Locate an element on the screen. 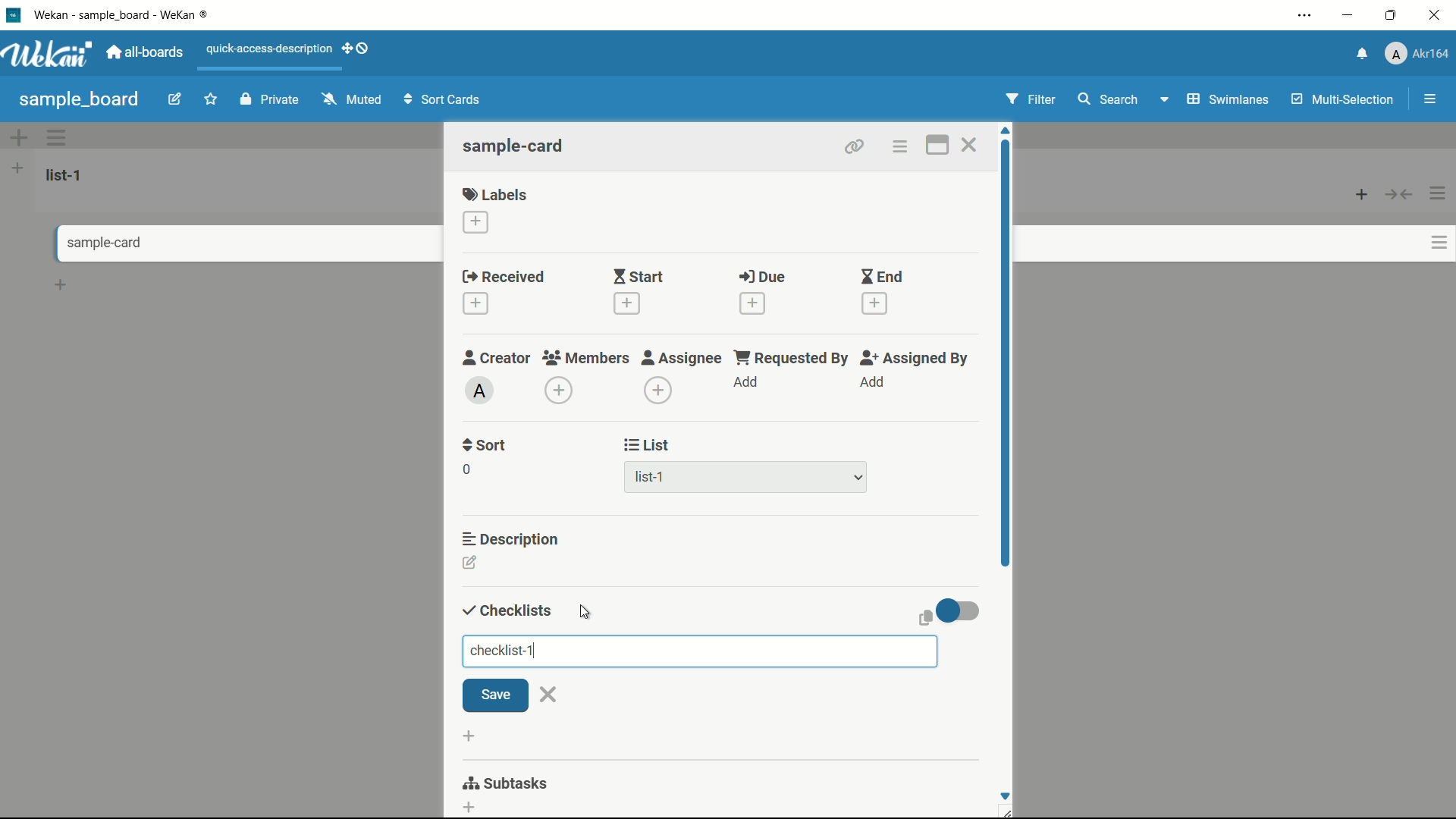 The width and height of the screenshot is (1456, 819). card name is located at coordinates (95, 243).